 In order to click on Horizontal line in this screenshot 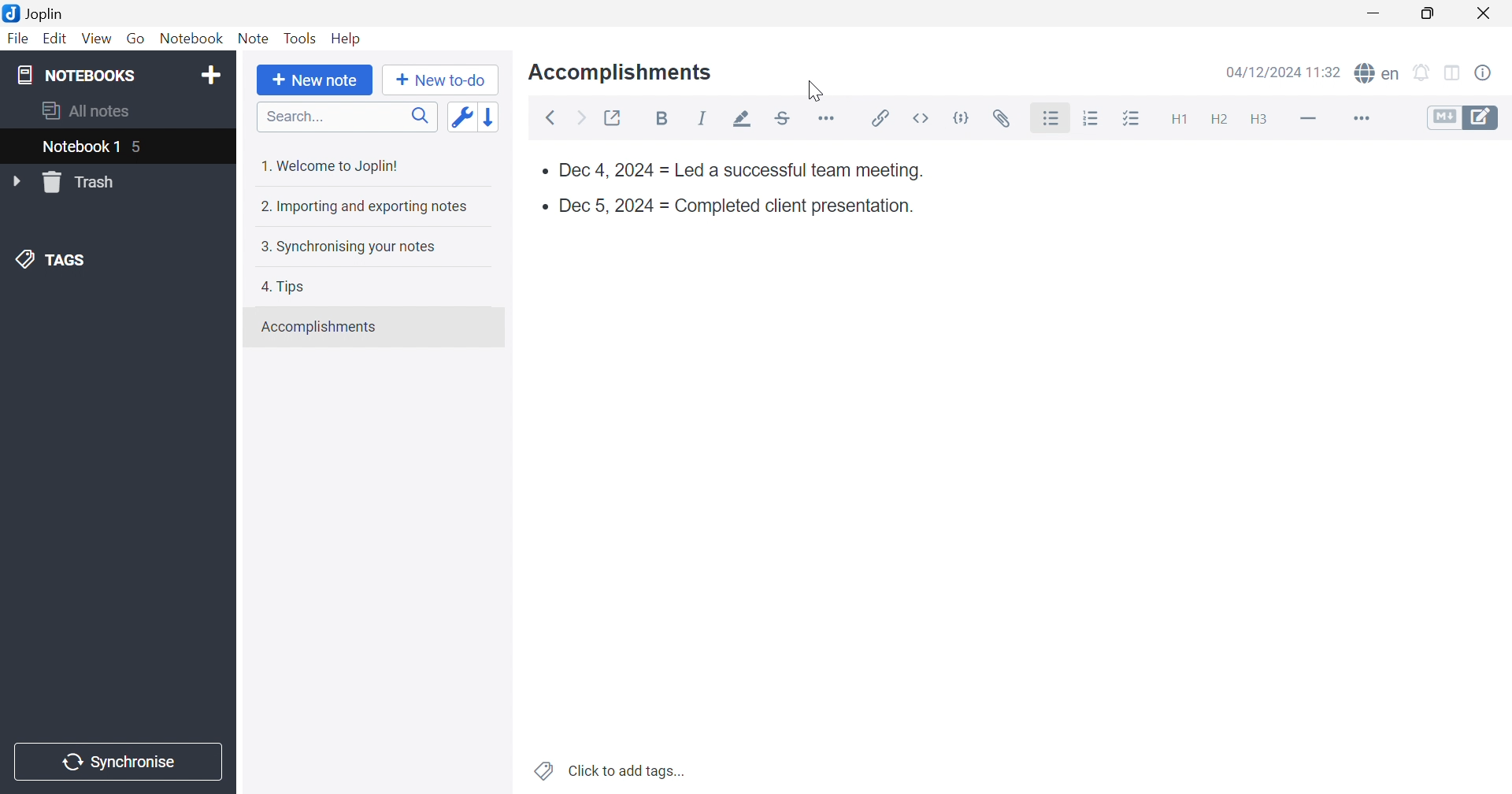, I will do `click(1311, 121)`.